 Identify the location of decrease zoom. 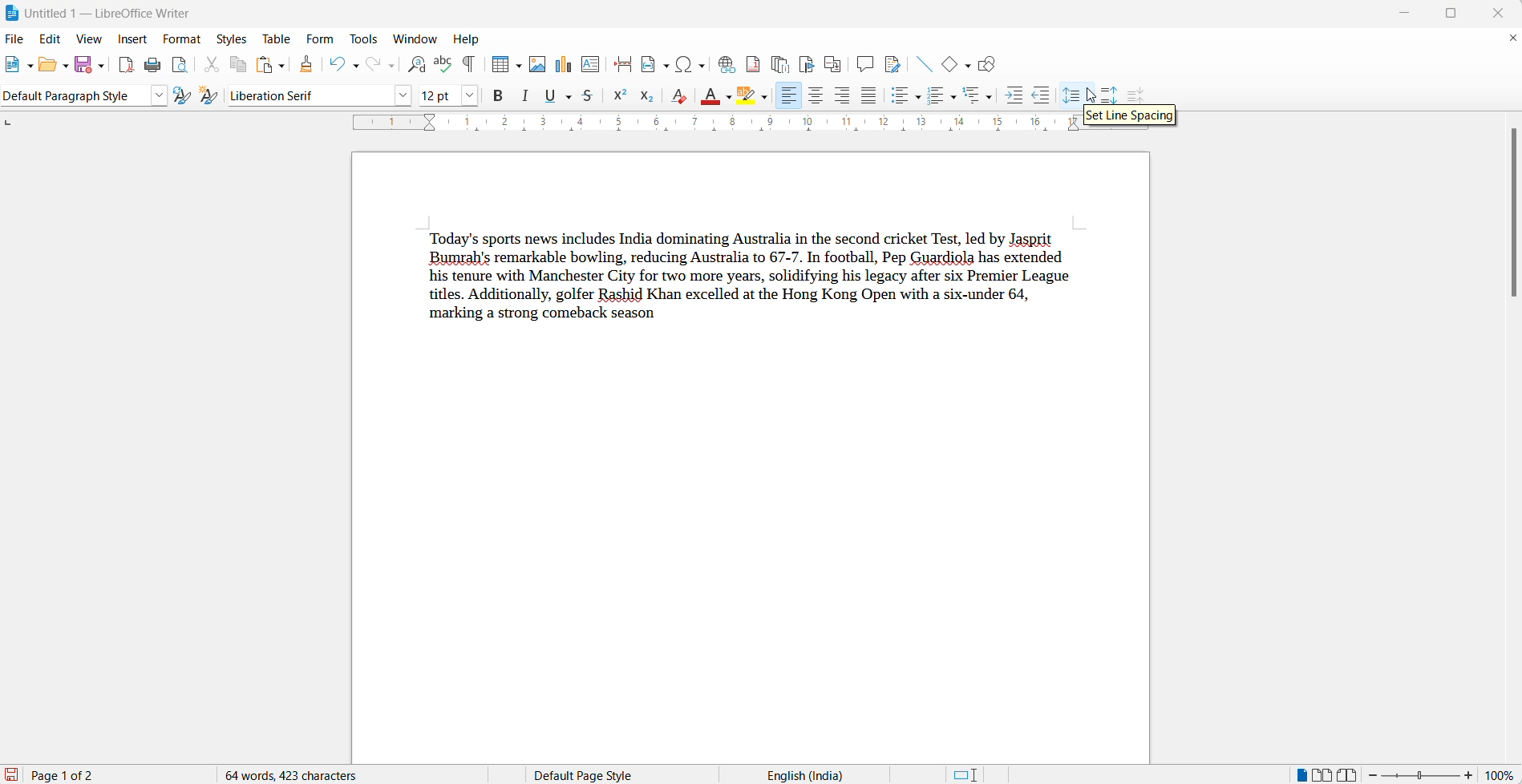
(1375, 774).